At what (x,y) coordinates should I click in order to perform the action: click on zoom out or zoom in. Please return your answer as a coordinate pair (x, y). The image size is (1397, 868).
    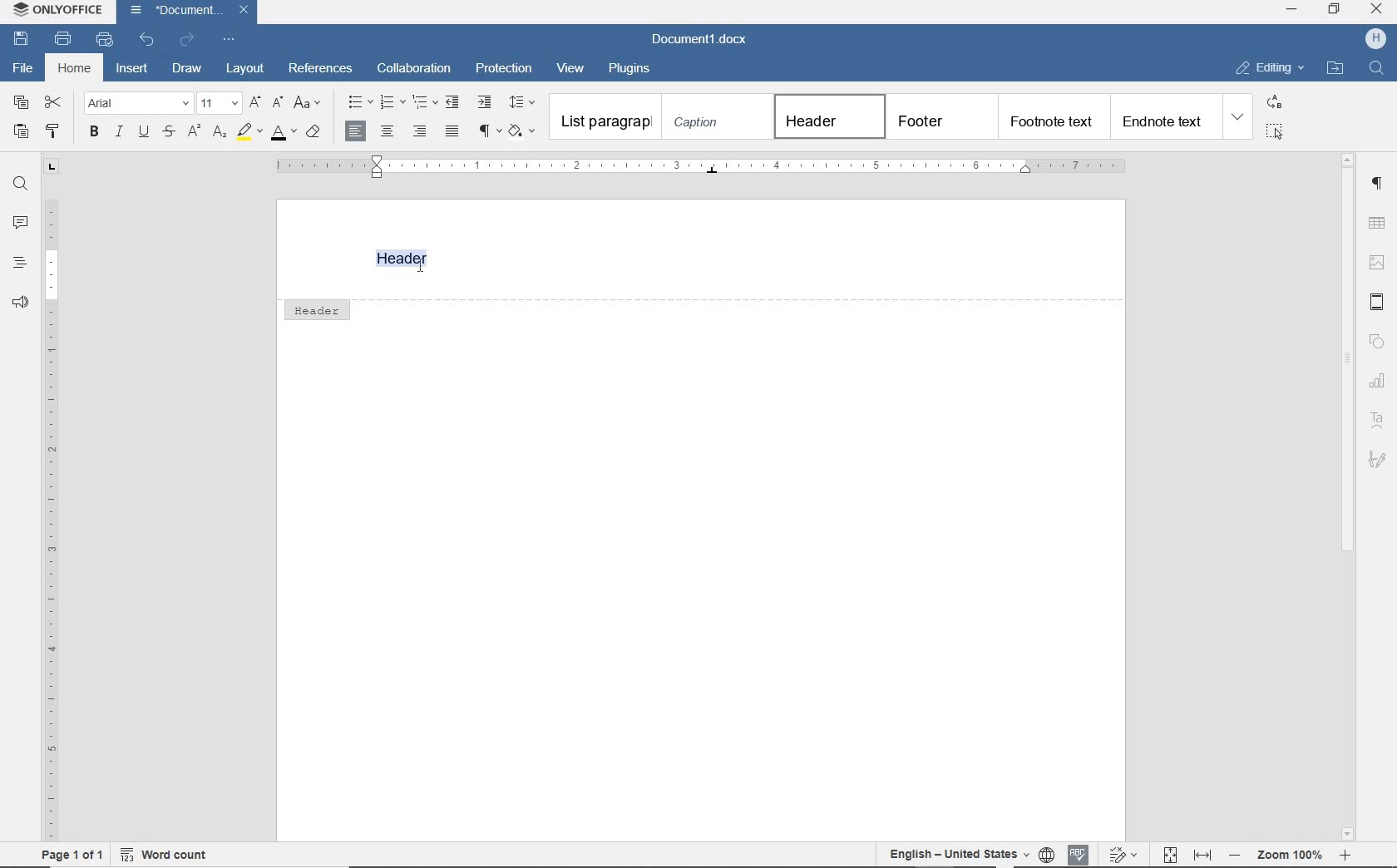
    Looking at the image, I should click on (1292, 854).